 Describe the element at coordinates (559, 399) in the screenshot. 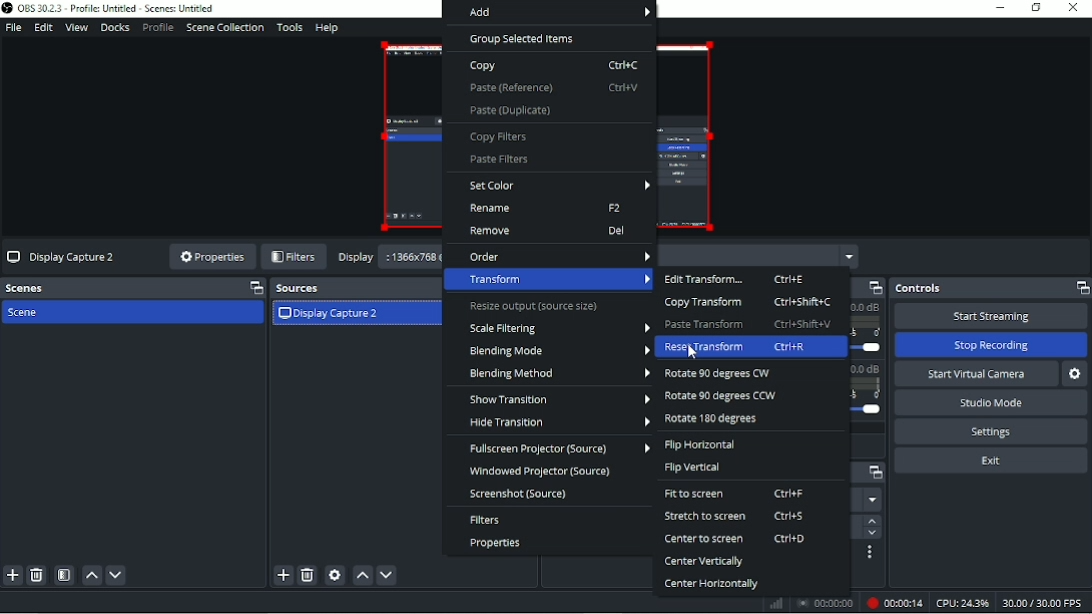

I see `Show transition` at that location.